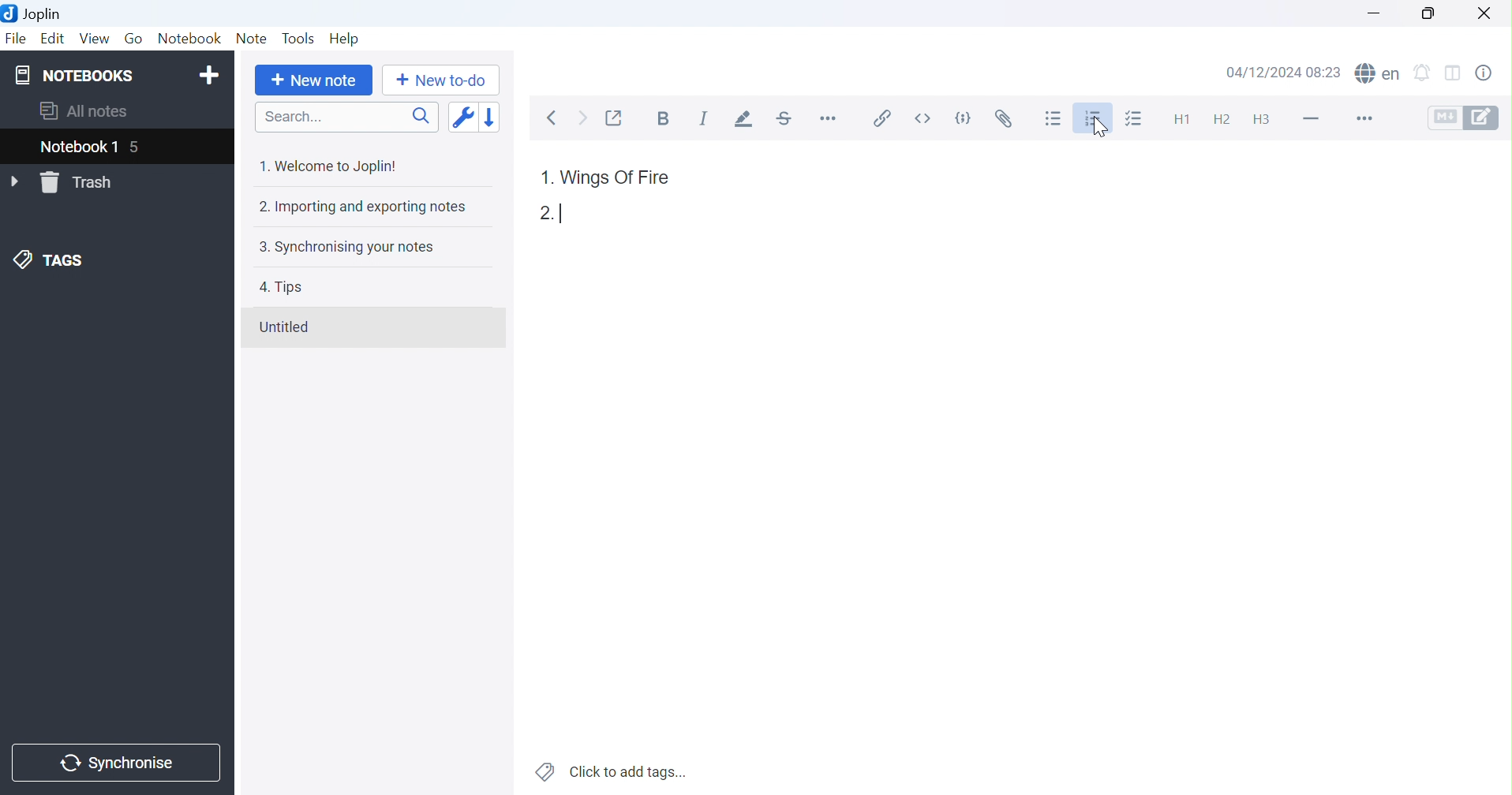 The height and width of the screenshot is (795, 1512). Describe the element at coordinates (35, 13) in the screenshot. I see `Joplin` at that location.